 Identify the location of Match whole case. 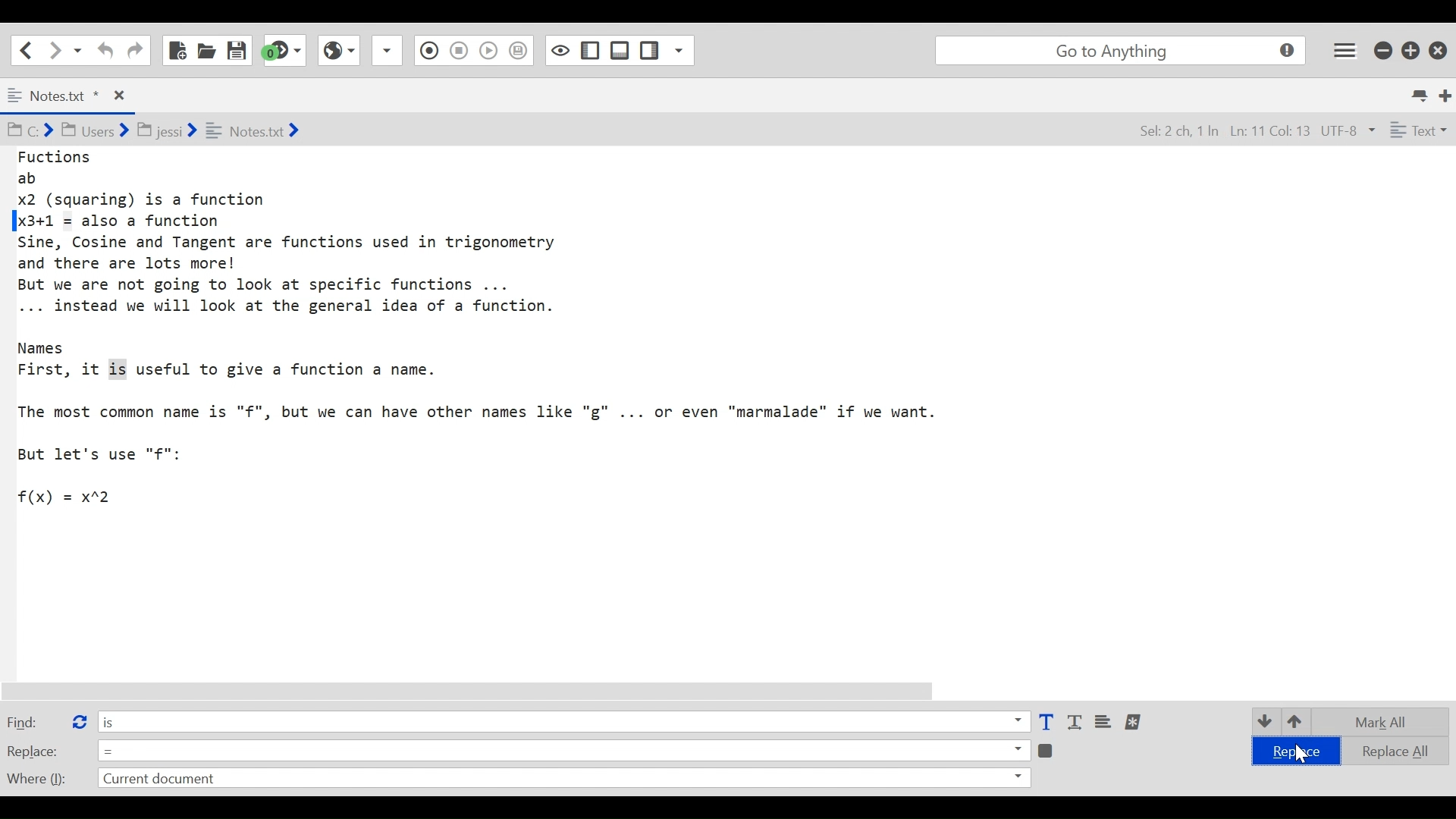
(1077, 723).